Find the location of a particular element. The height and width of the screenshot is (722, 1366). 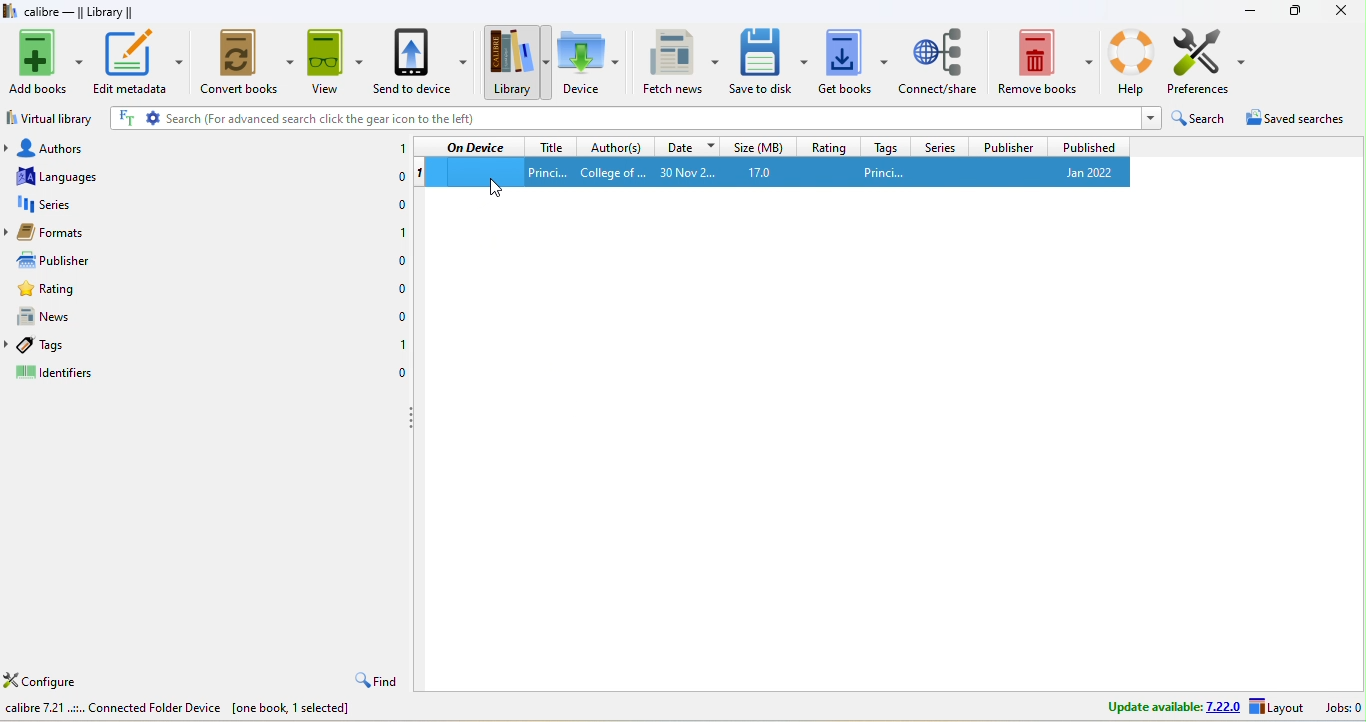

logo is located at coordinates (10, 11).